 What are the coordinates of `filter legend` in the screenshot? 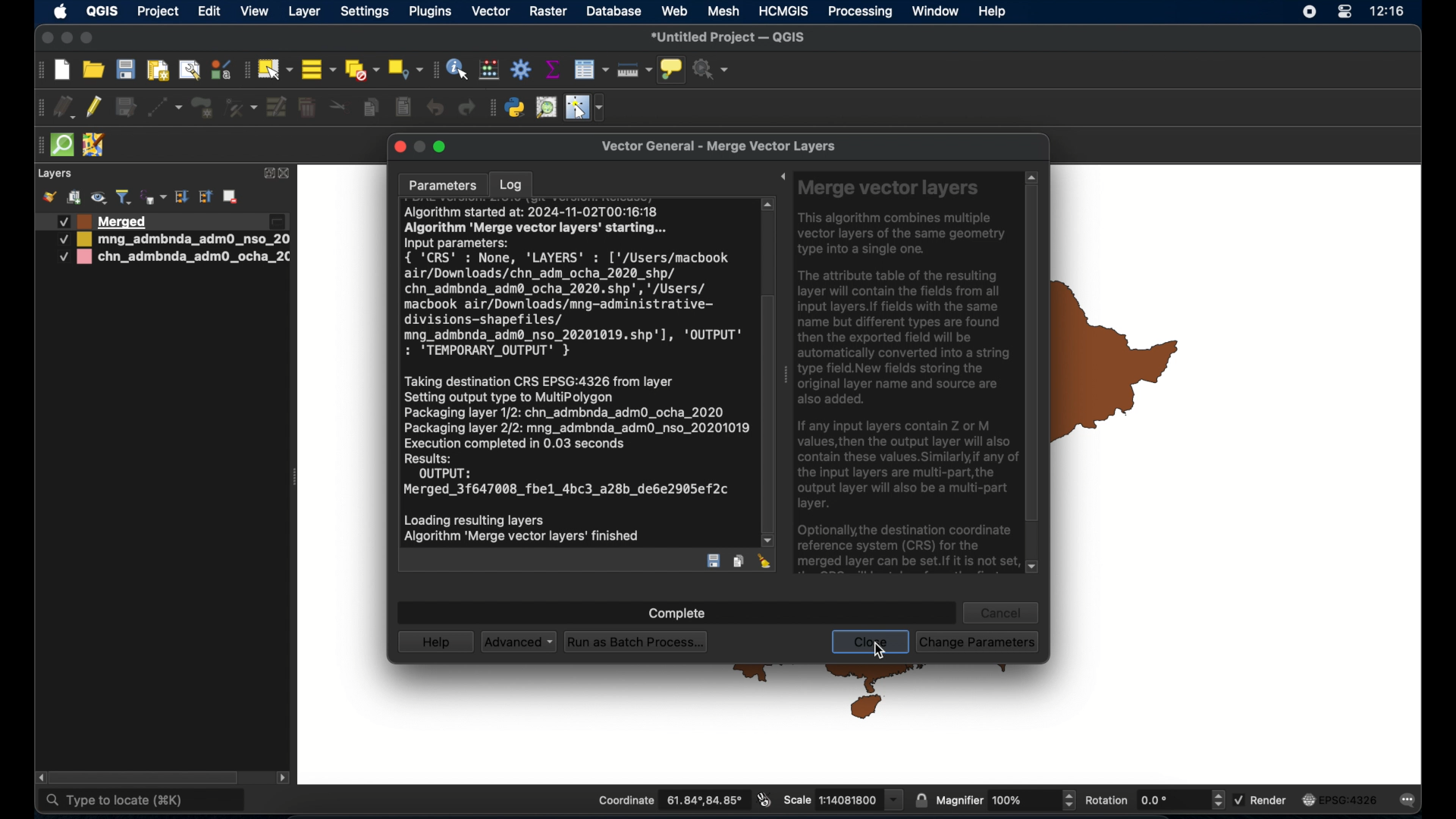 It's located at (124, 197).